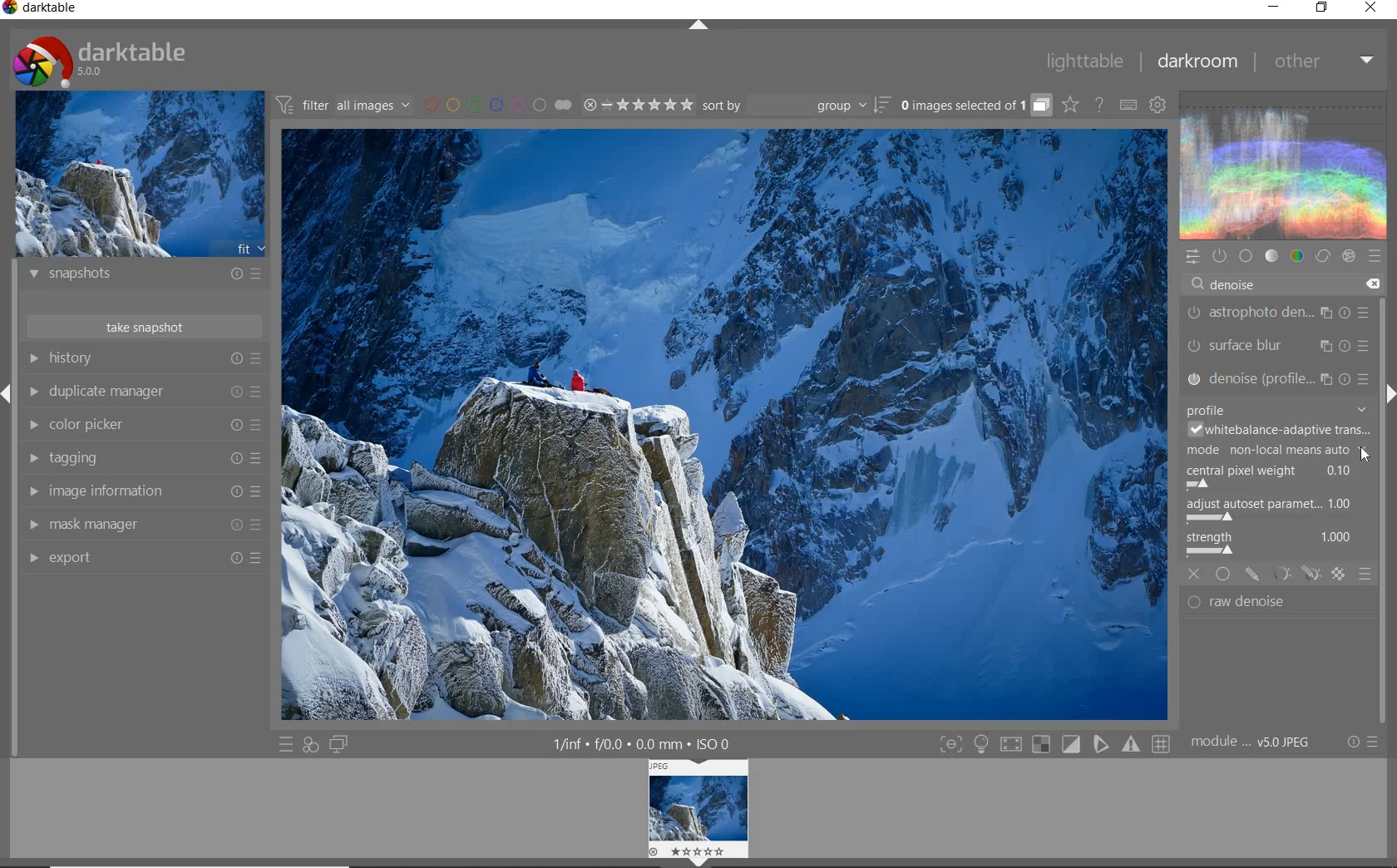 This screenshot has width=1397, height=868. I want to click on strength, so click(1273, 545).